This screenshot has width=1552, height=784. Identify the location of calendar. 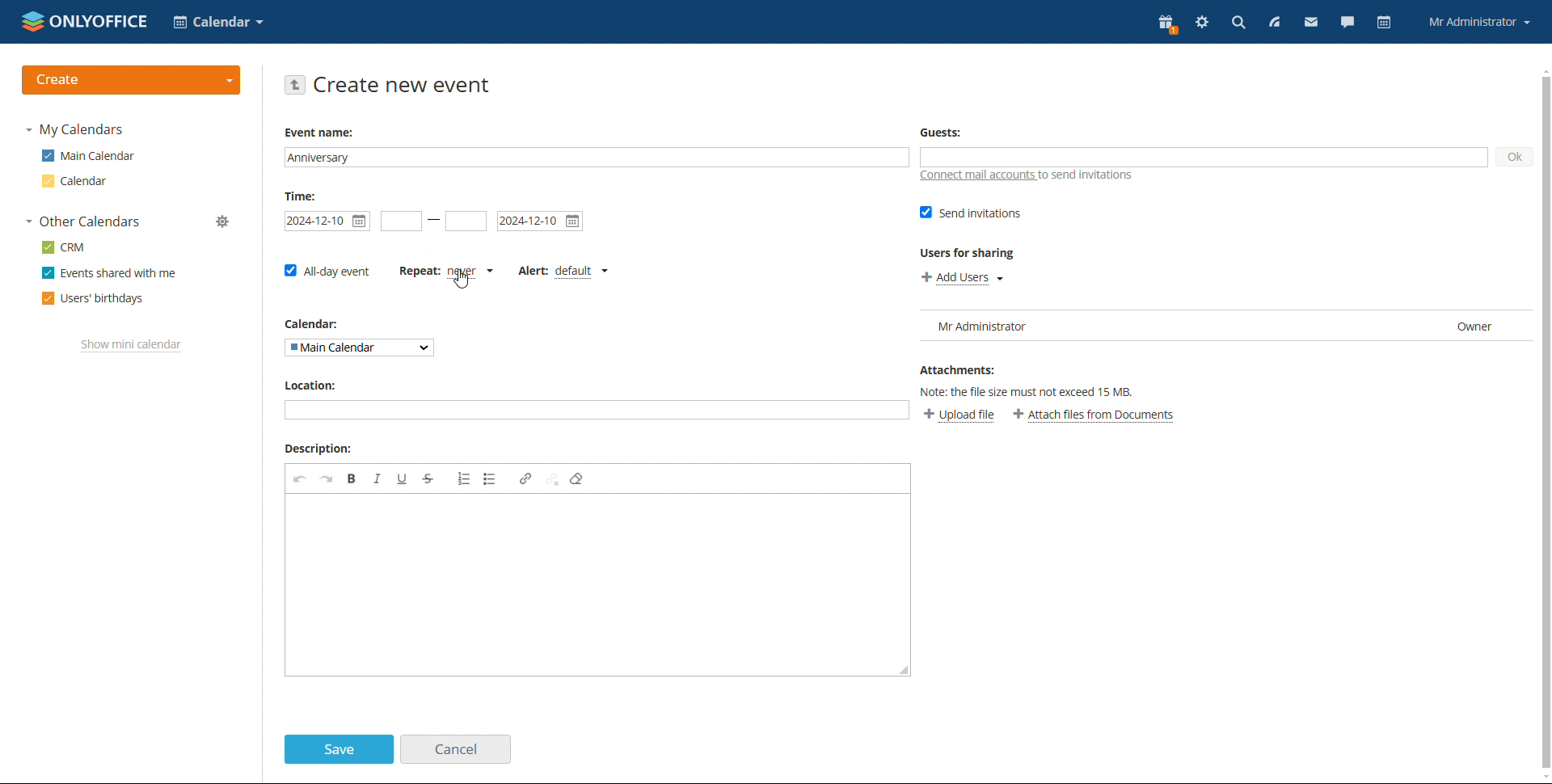
(1383, 23).